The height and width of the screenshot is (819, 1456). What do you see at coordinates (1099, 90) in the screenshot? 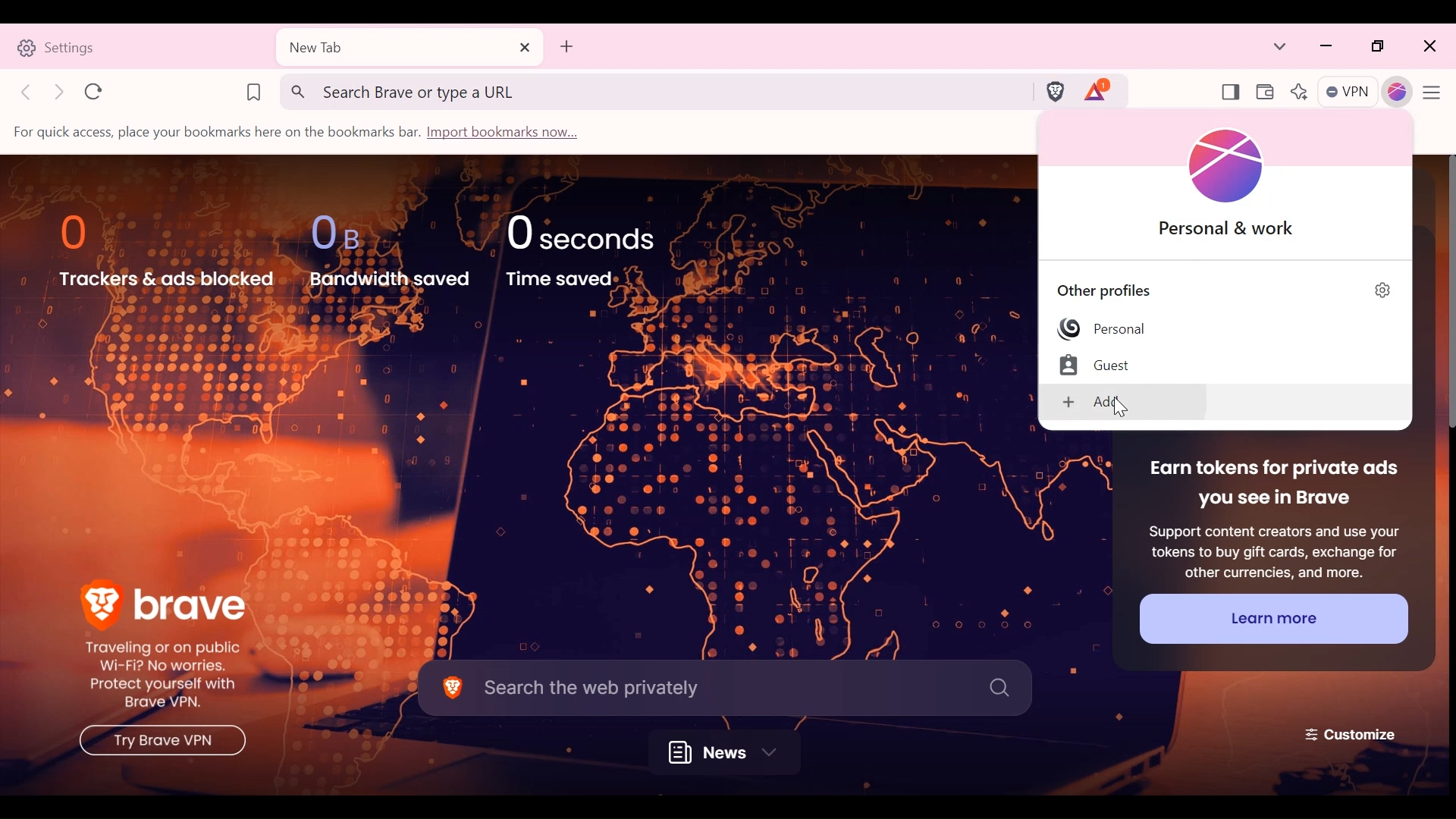
I see `Tokens` at bounding box center [1099, 90].